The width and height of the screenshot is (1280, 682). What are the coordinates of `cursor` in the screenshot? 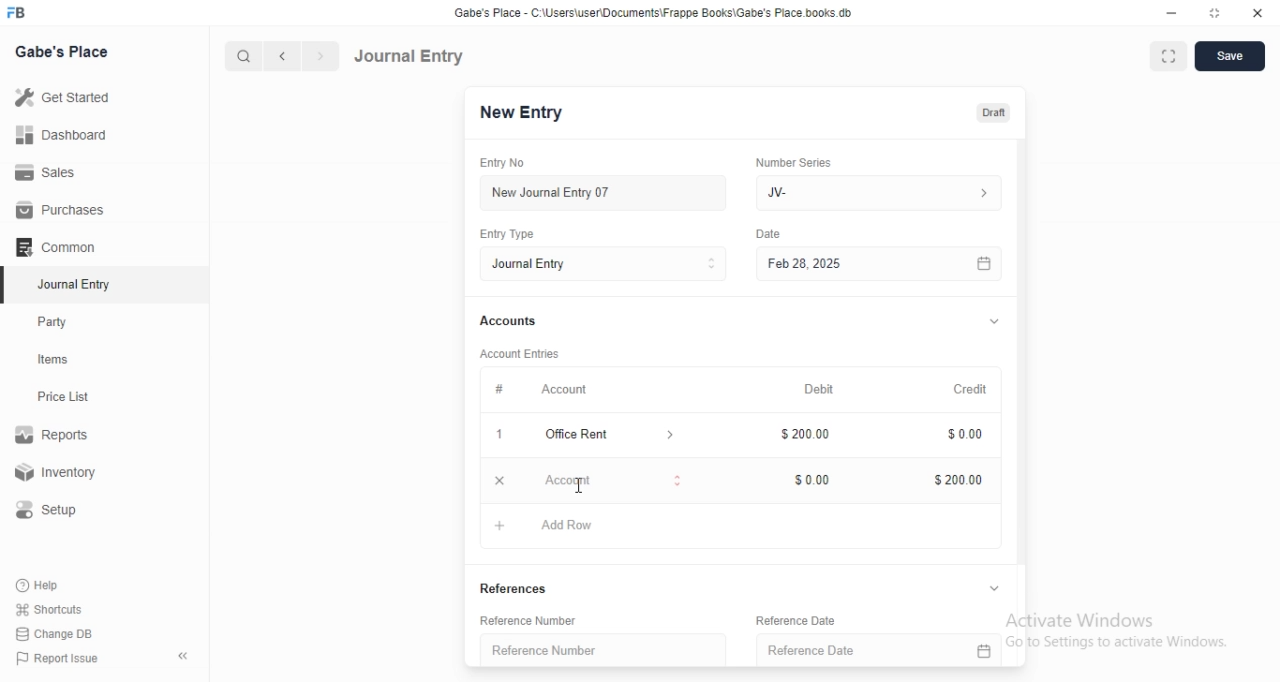 It's located at (581, 497).